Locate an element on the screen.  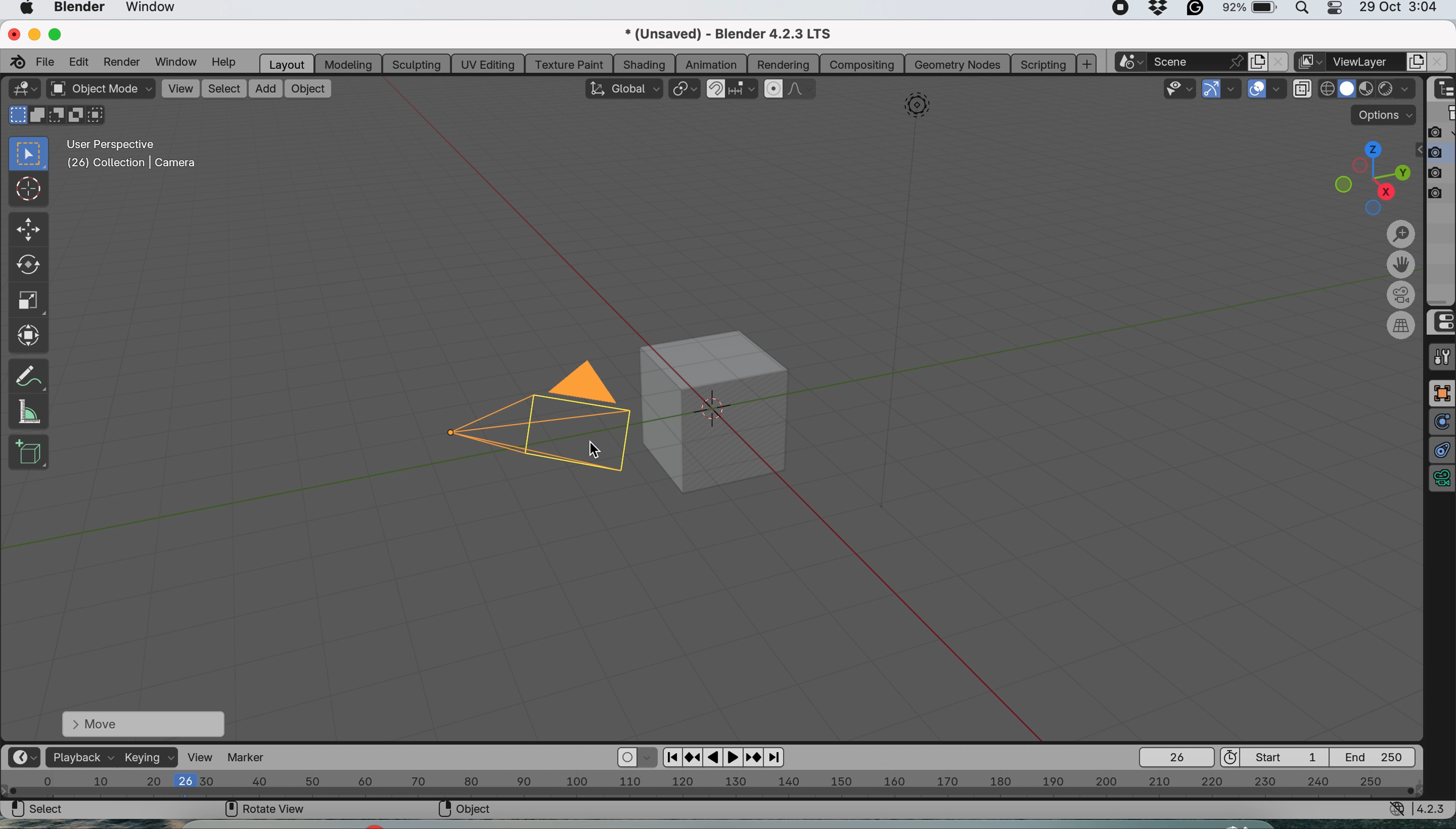
next is located at coordinates (776, 758).